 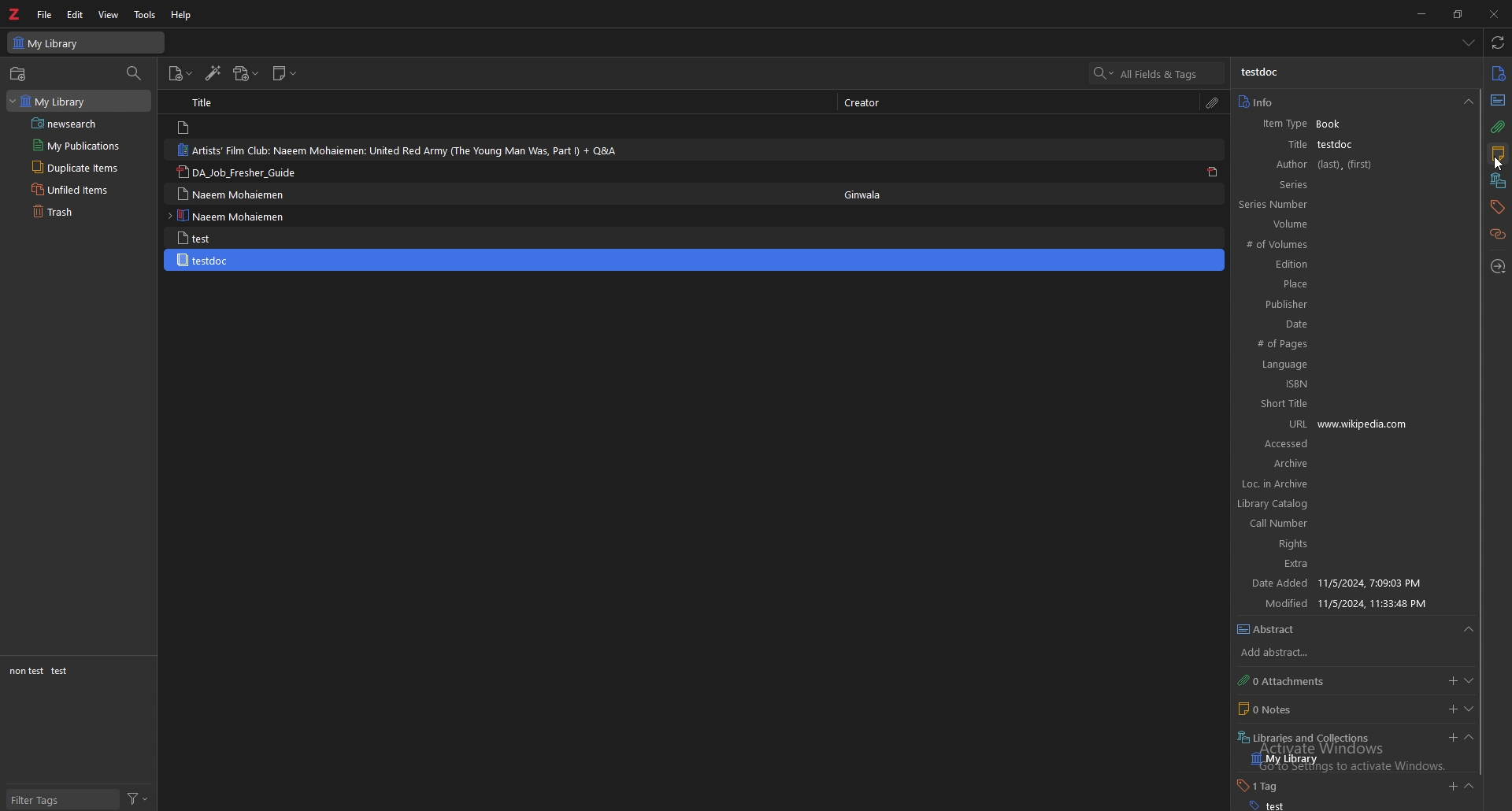 What do you see at coordinates (1498, 102) in the screenshot?
I see `abstract` at bounding box center [1498, 102].